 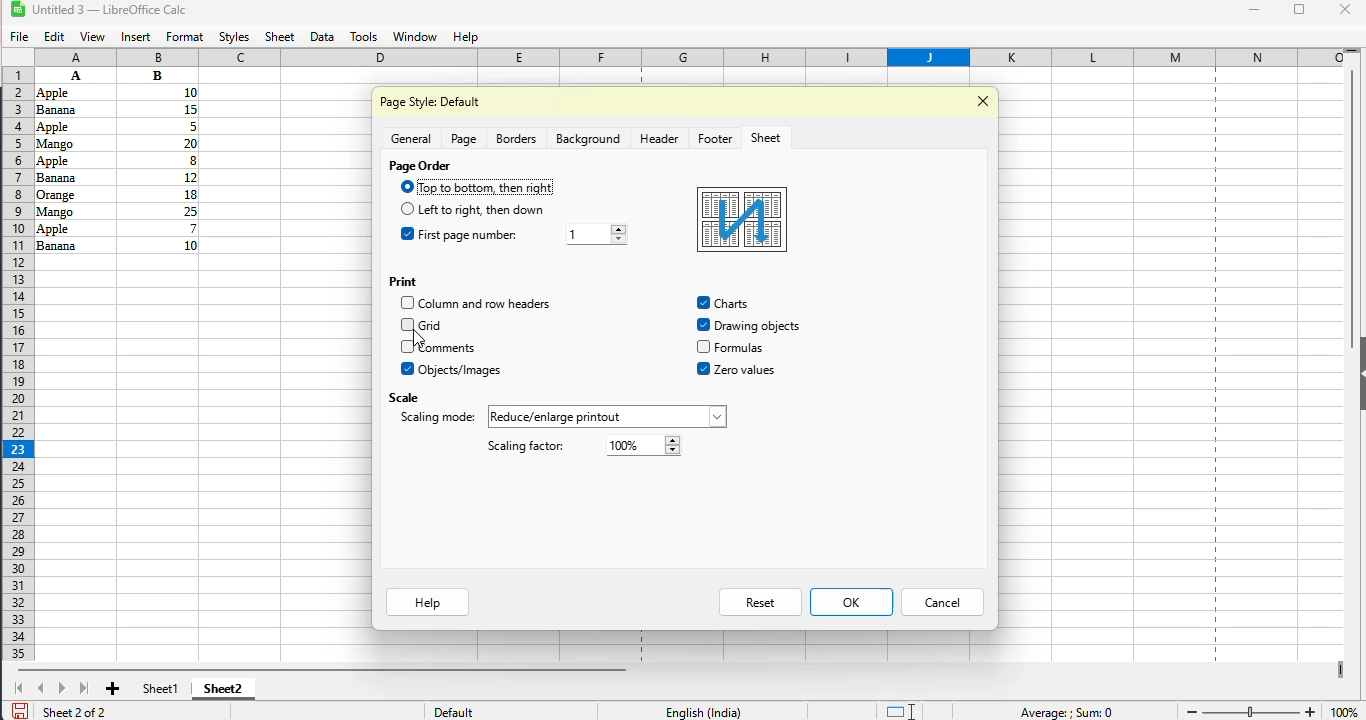 I want to click on , so click(x=158, y=142).